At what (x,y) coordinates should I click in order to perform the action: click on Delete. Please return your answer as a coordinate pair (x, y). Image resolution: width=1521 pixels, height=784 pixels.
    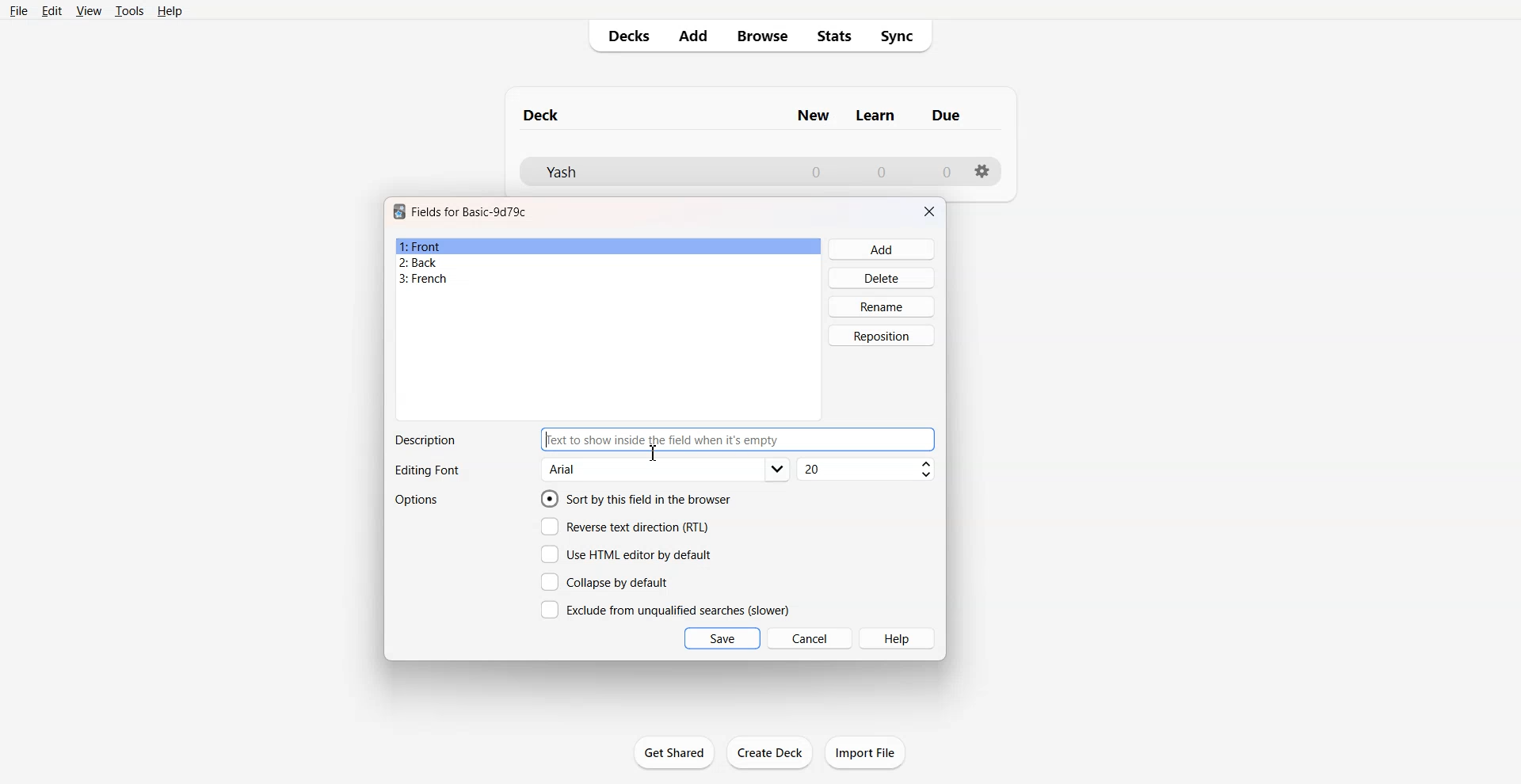
    Looking at the image, I should click on (882, 277).